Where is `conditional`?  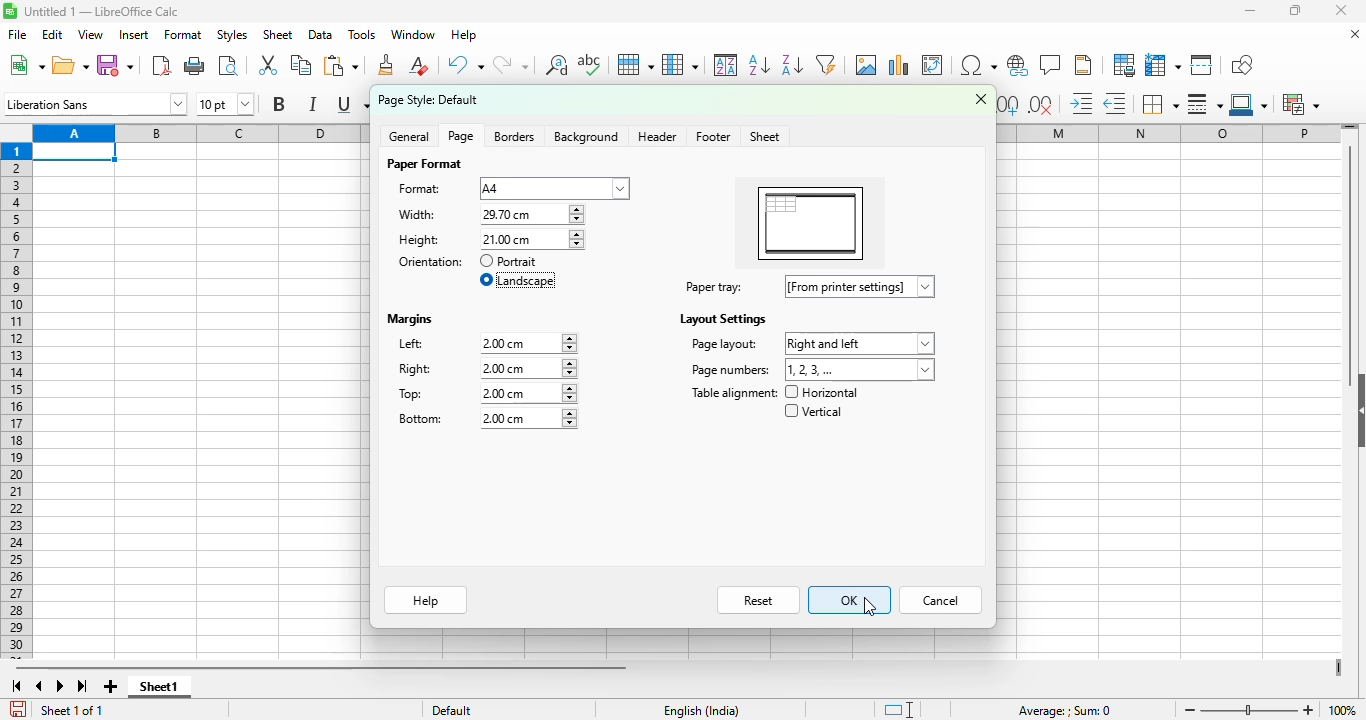
conditional is located at coordinates (1299, 104).